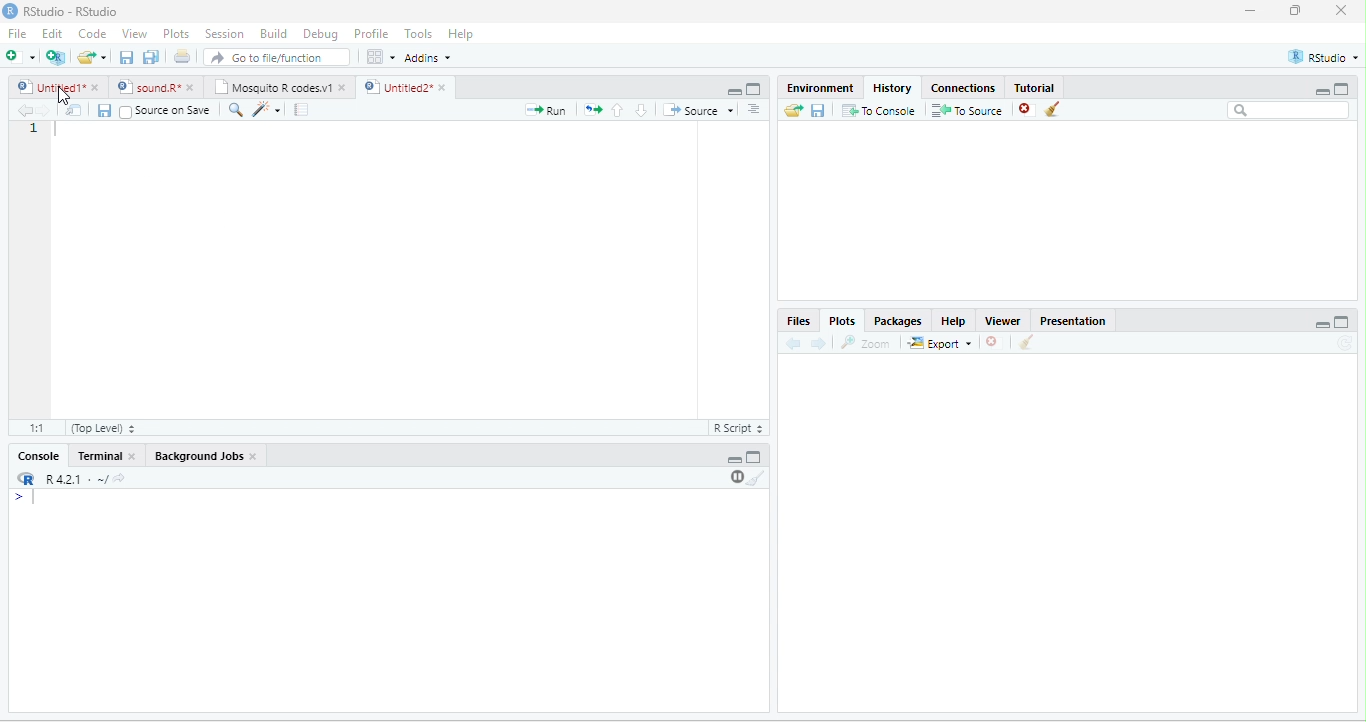 The image size is (1366, 722). What do you see at coordinates (754, 109) in the screenshot?
I see `options` at bounding box center [754, 109].